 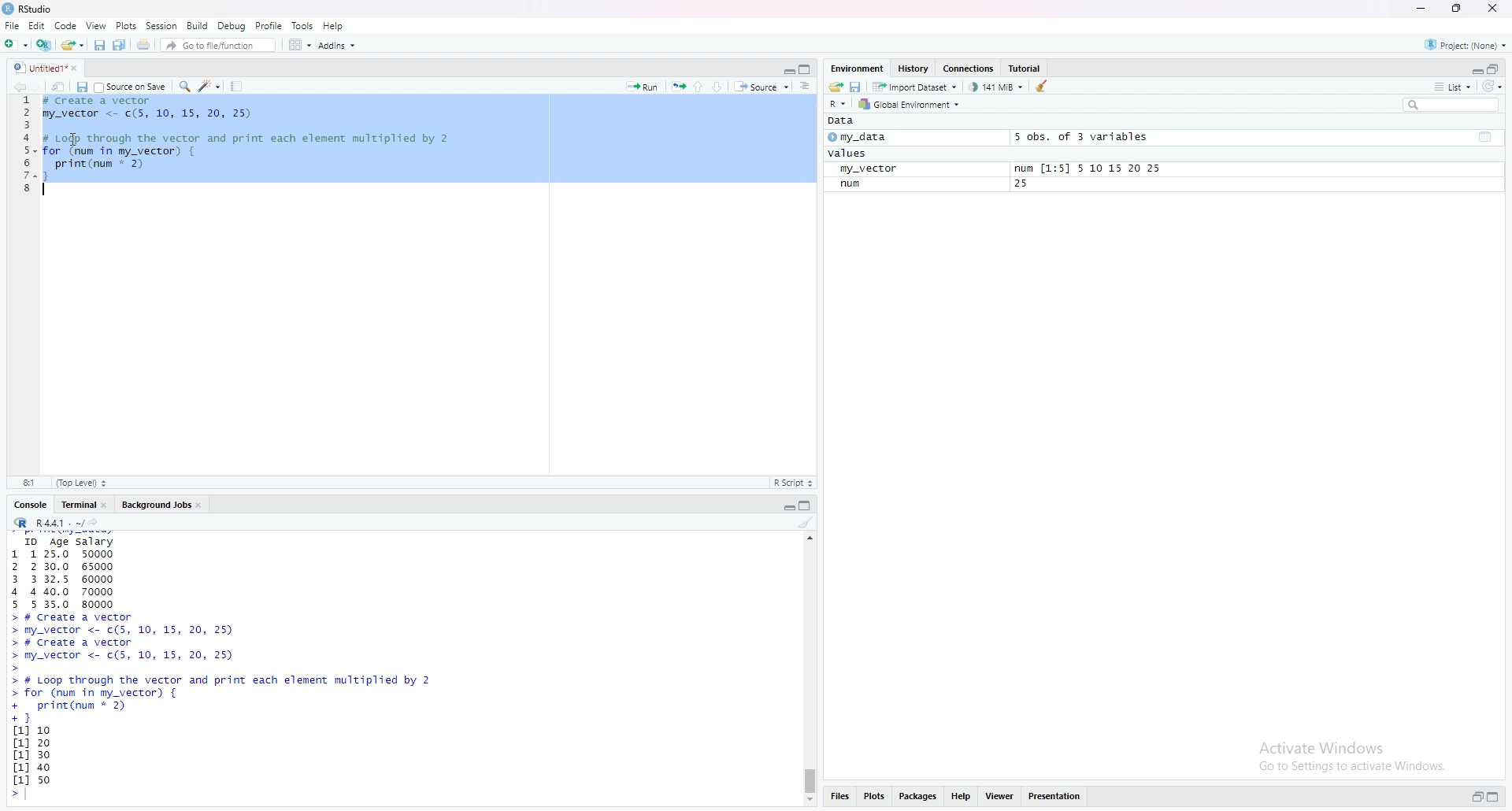 I want to click on data frame code, so click(x=250, y=147).